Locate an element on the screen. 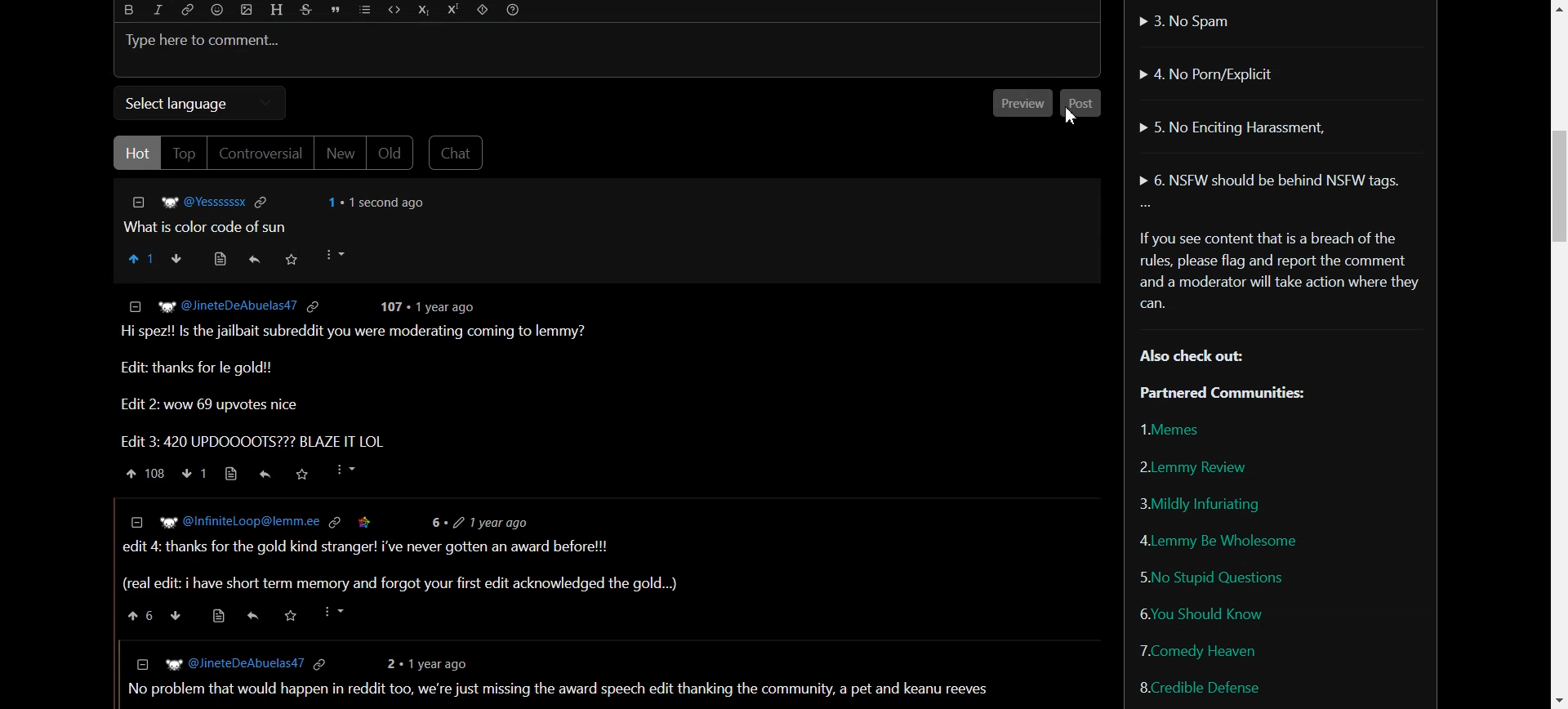 Image resolution: width=1568 pixels, height=709 pixels. Top is located at coordinates (183, 153).